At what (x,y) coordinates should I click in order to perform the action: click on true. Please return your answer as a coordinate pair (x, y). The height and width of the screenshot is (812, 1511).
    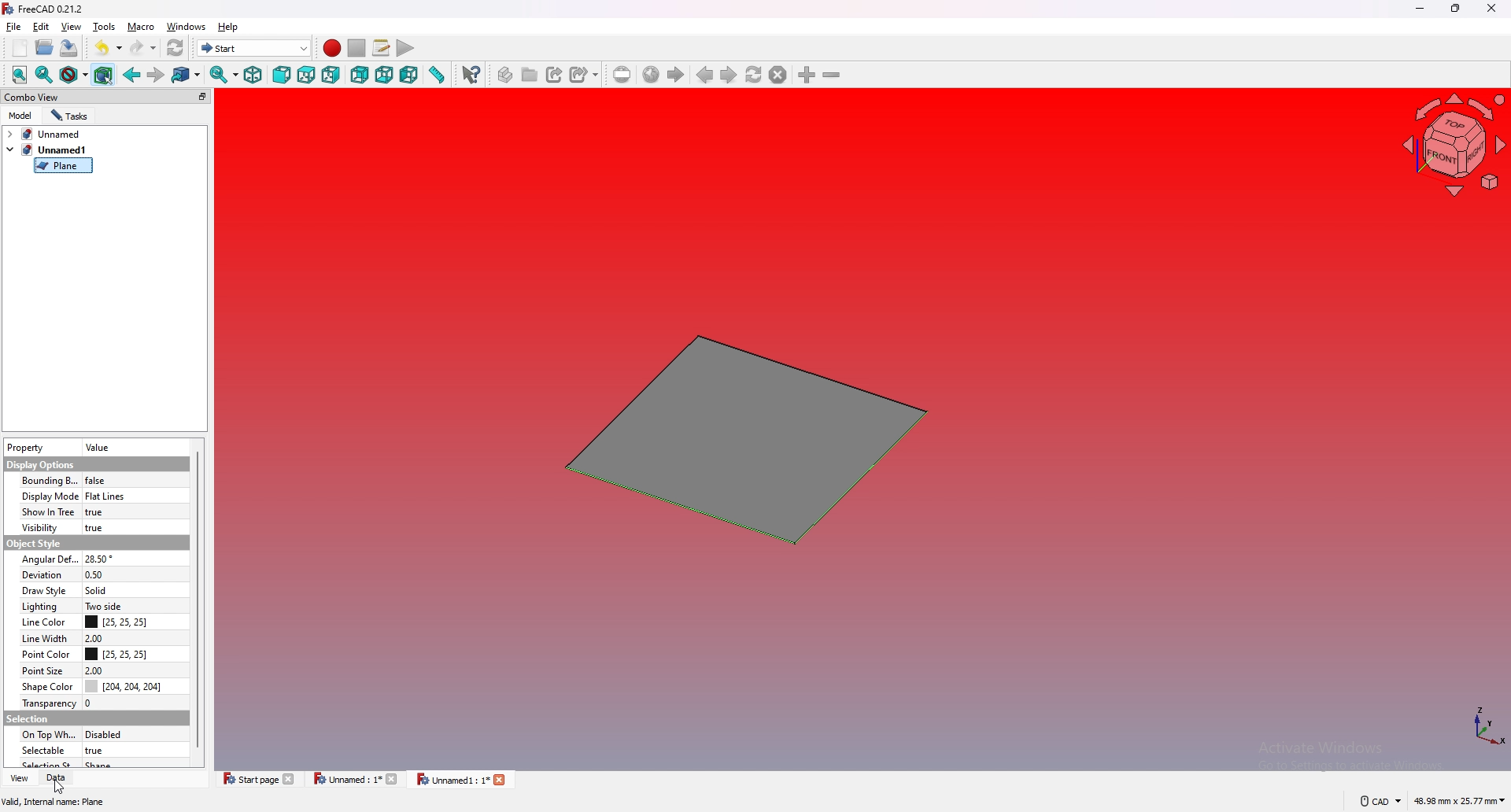
    Looking at the image, I should click on (103, 750).